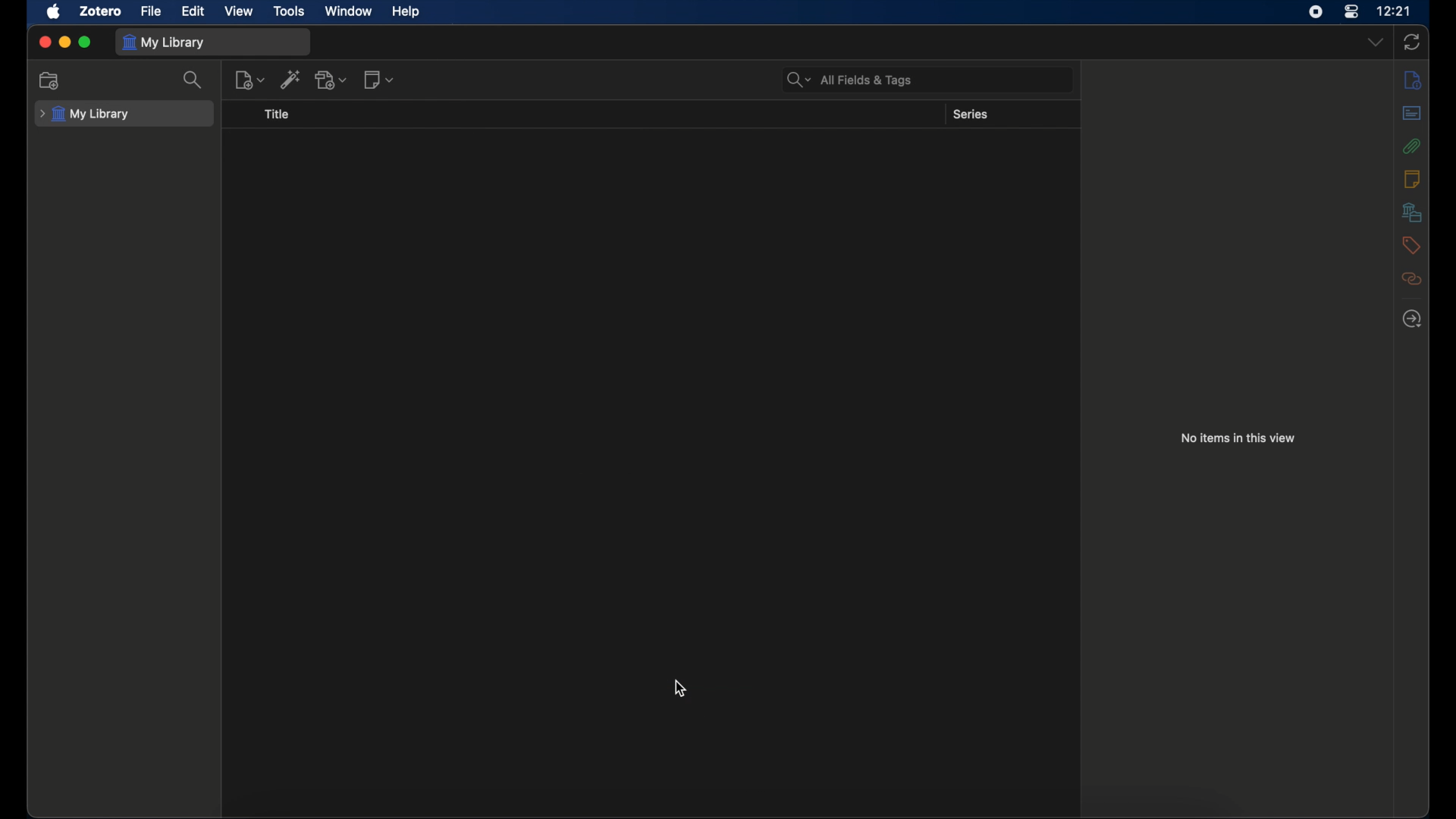 This screenshot has width=1456, height=819. I want to click on apple, so click(54, 11).